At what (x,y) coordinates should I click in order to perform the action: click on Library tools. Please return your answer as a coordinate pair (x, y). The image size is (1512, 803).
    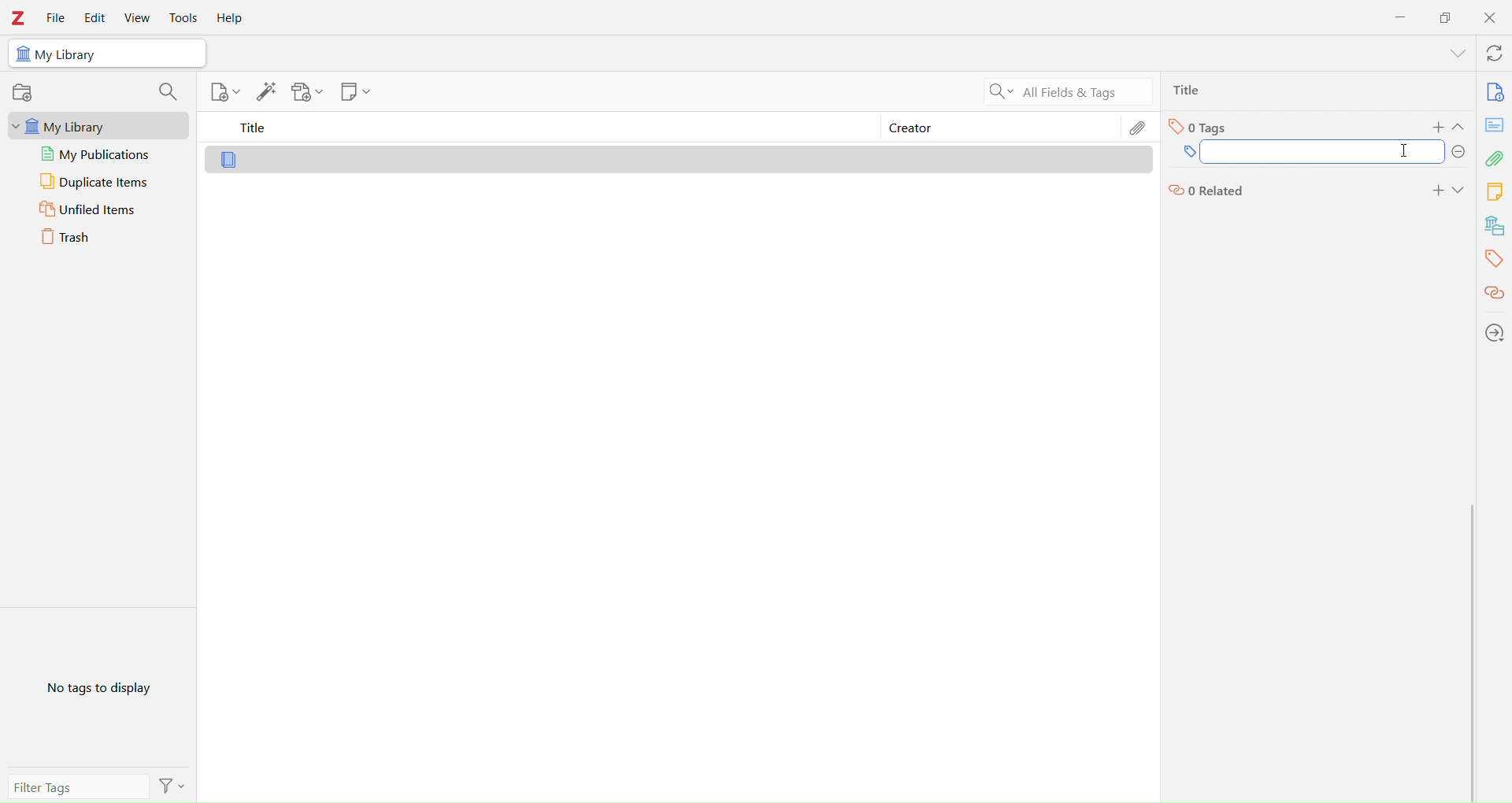
    Looking at the image, I should click on (284, 93).